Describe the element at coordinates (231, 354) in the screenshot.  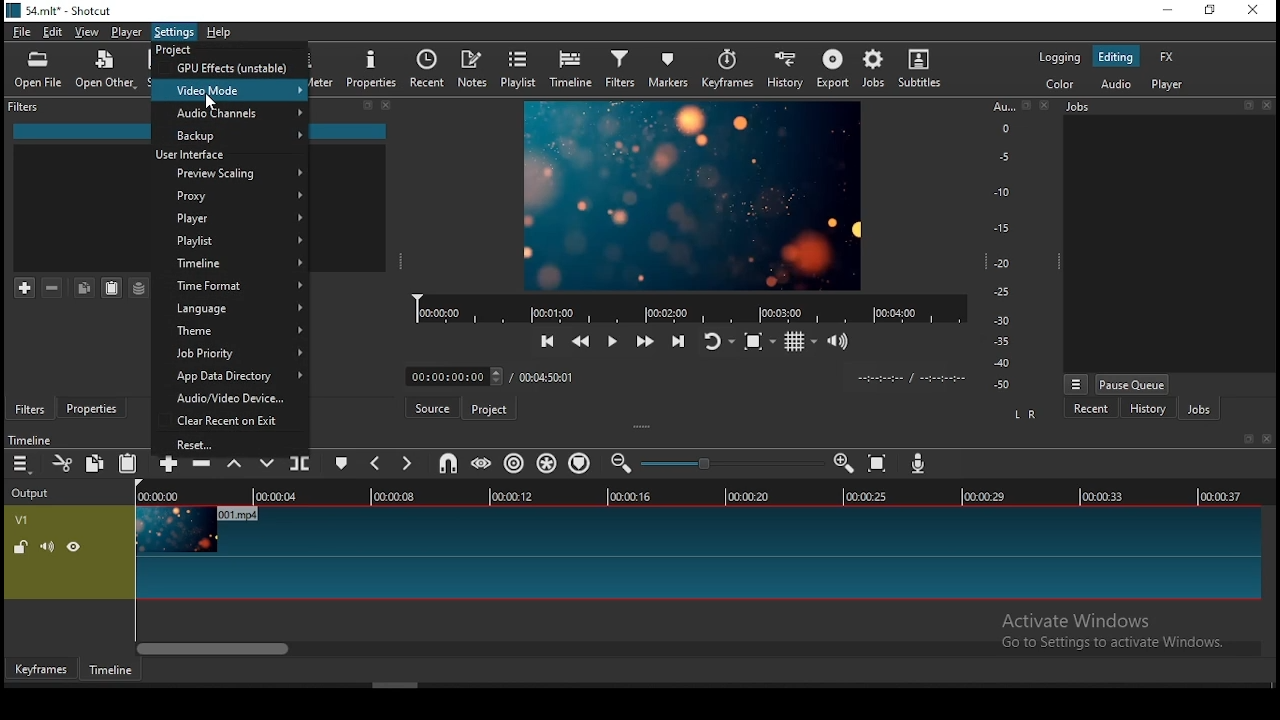
I see `job priority` at that location.